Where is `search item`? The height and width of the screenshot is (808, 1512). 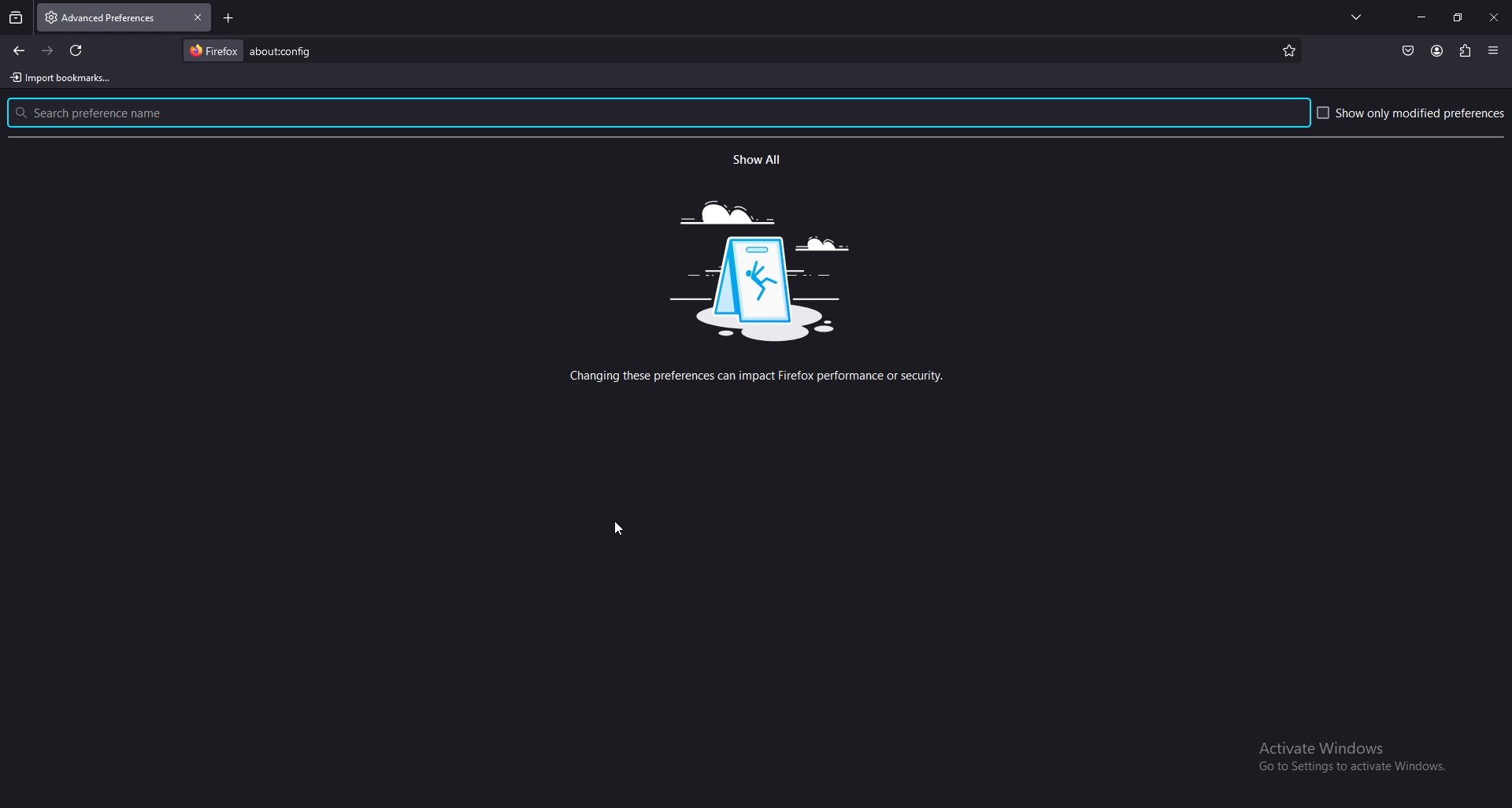
search item is located at coordinates (284, 50).